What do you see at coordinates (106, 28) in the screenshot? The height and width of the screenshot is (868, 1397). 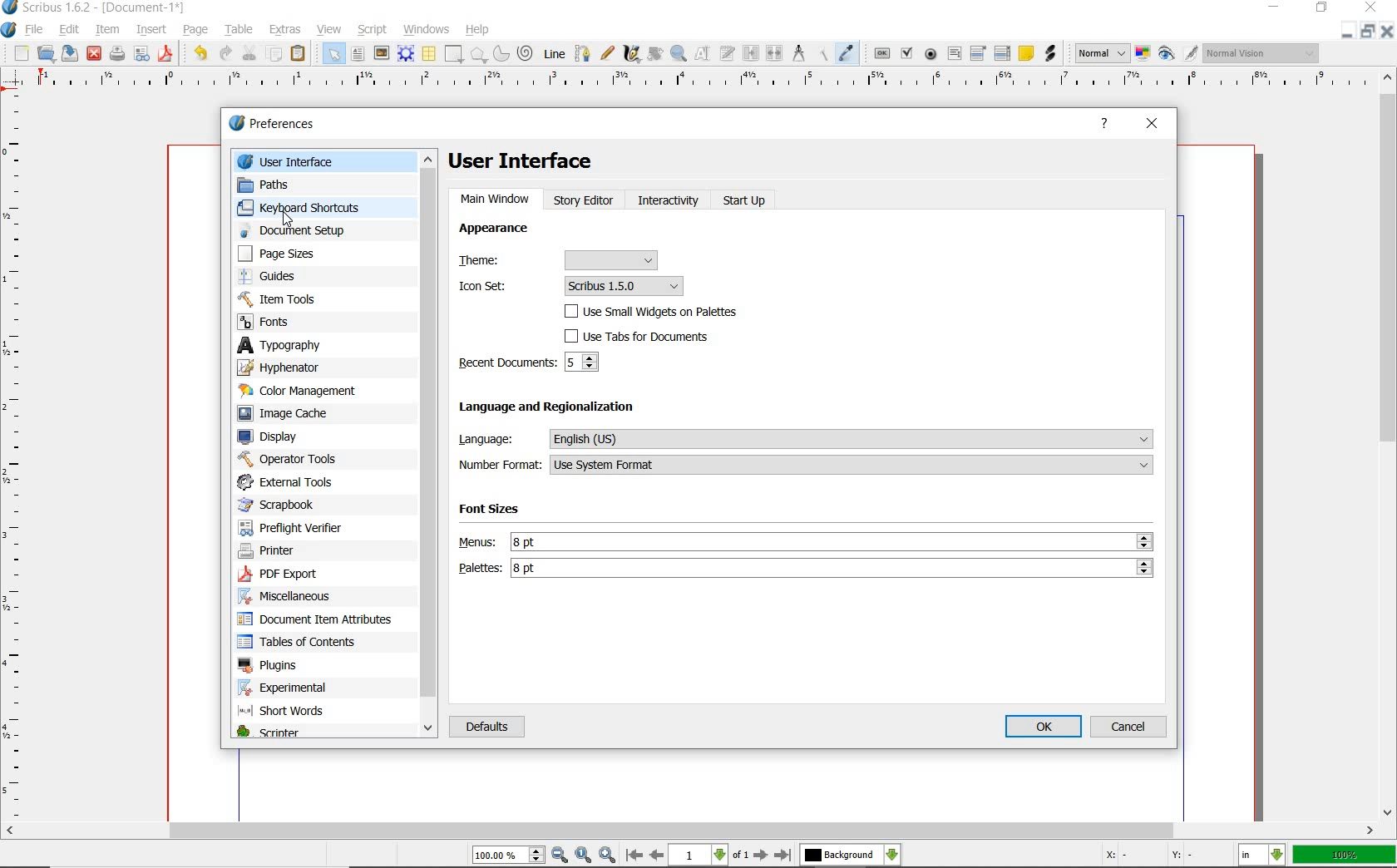 I see `item` at bounding box center [106, 28].